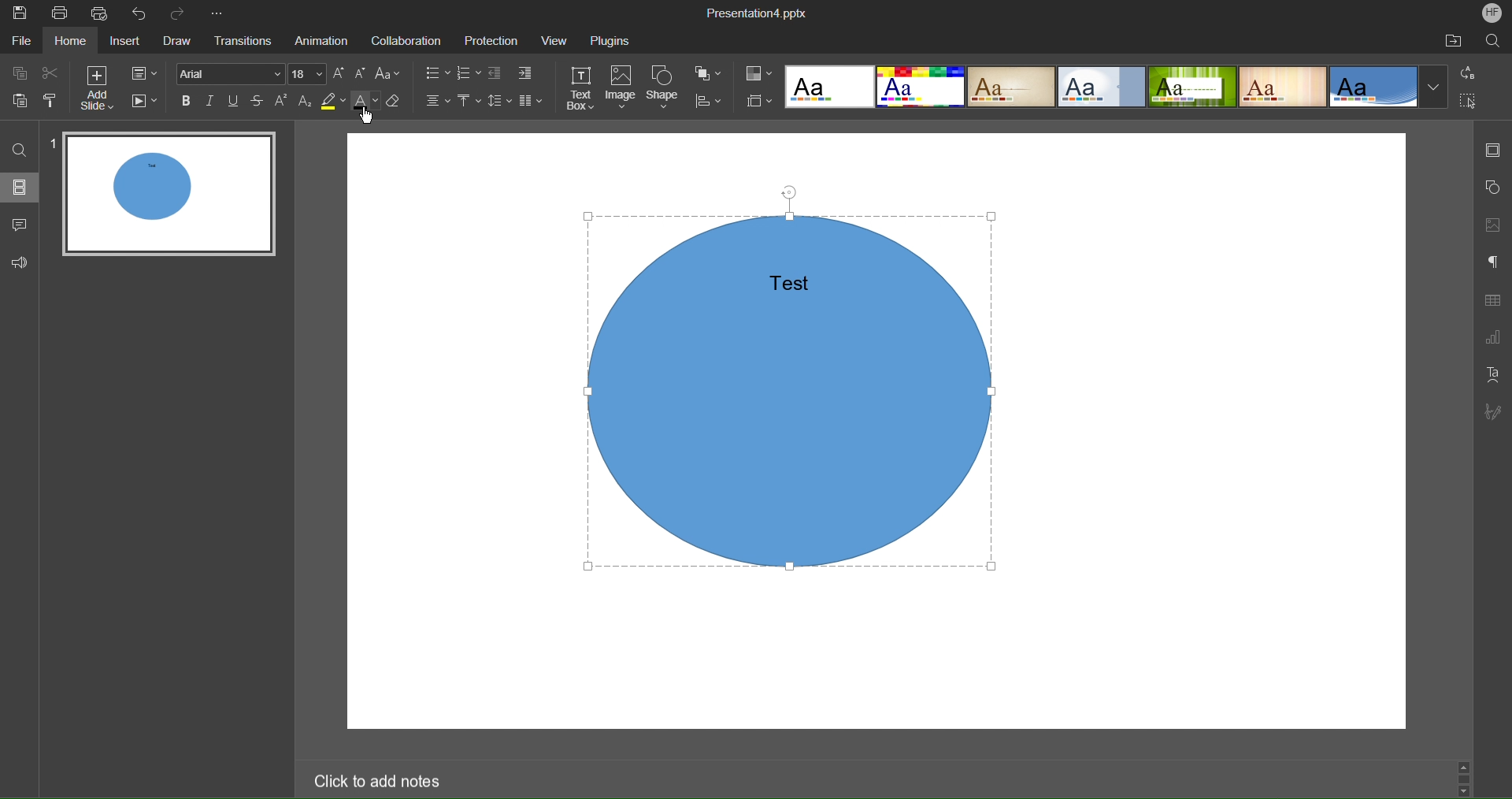 The image size is (1512, 799). Describe the element at coordinates (1492, 301) in the screenshot. I see `Table Settings` at that location.